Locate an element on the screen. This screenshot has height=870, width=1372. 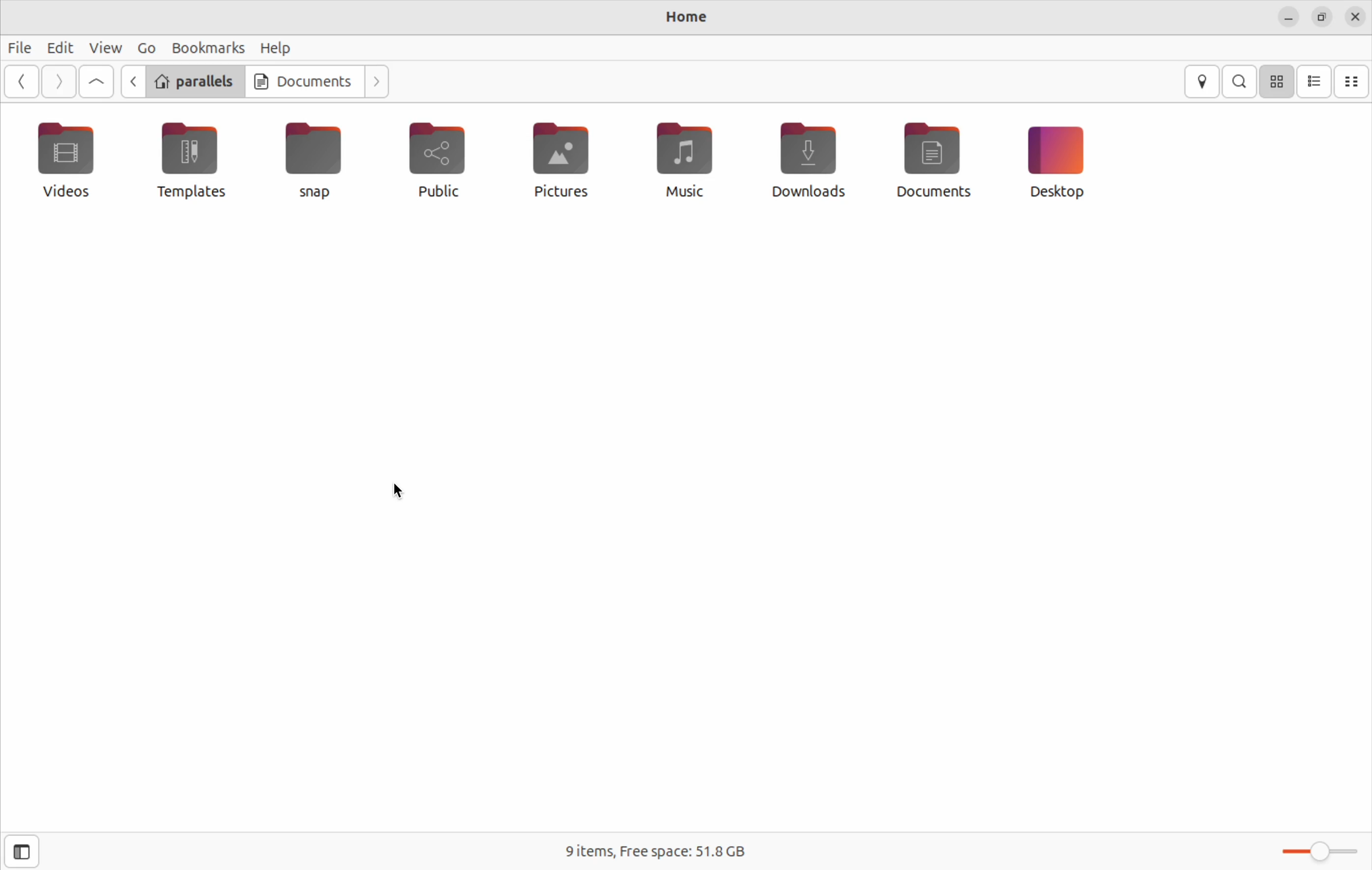
parallels is located at coordinates (195, 79).